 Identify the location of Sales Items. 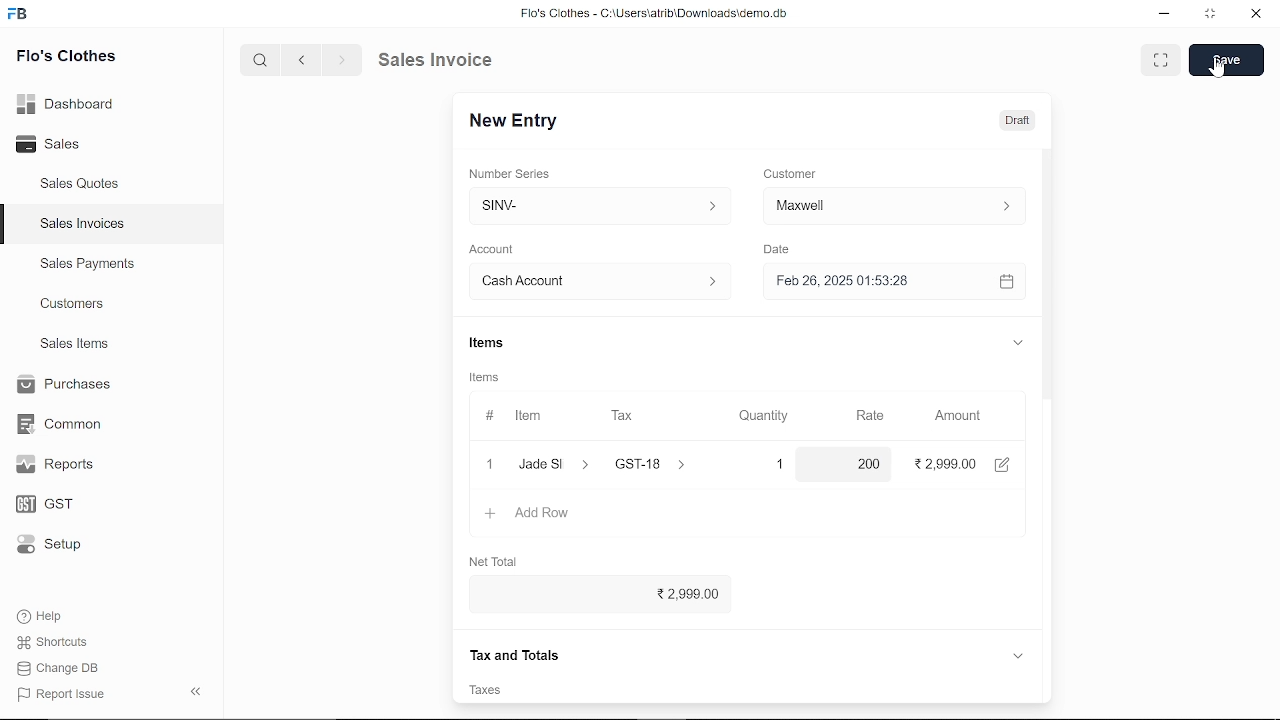
(74, 346).